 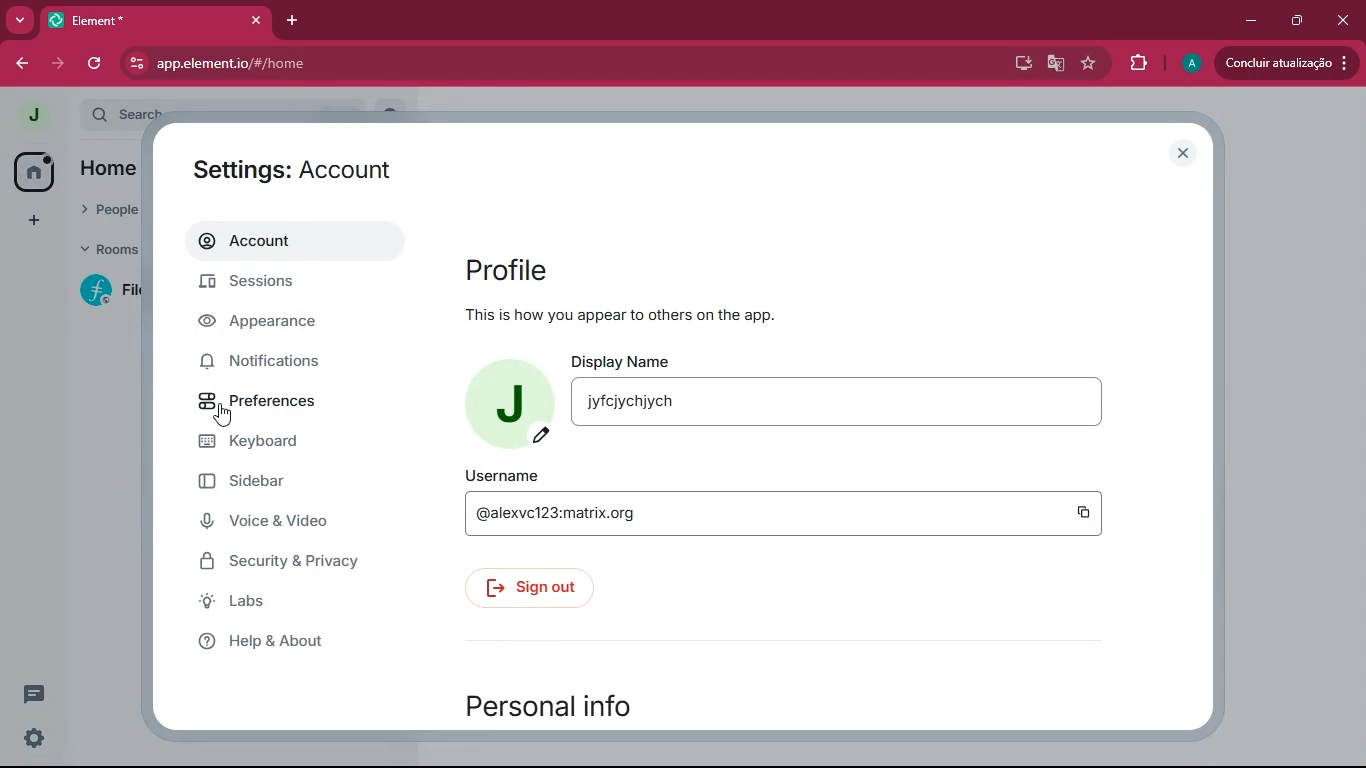 What do you see at coordinates (34, 694) in the screenshot?
I see `threads` at bounding box center [34, 694].